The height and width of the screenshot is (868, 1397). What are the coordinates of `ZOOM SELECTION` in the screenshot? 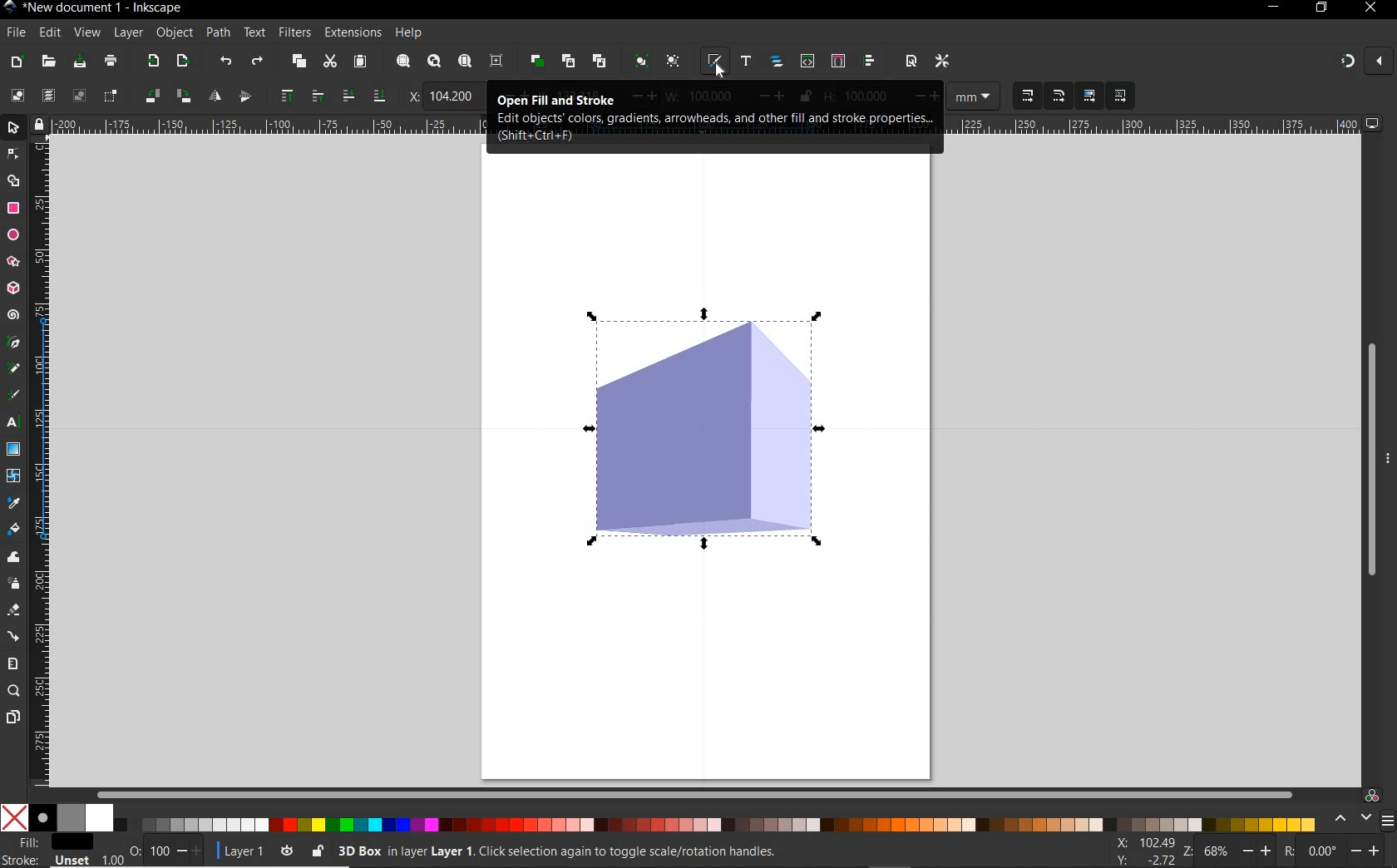 It's located at (402, 60).